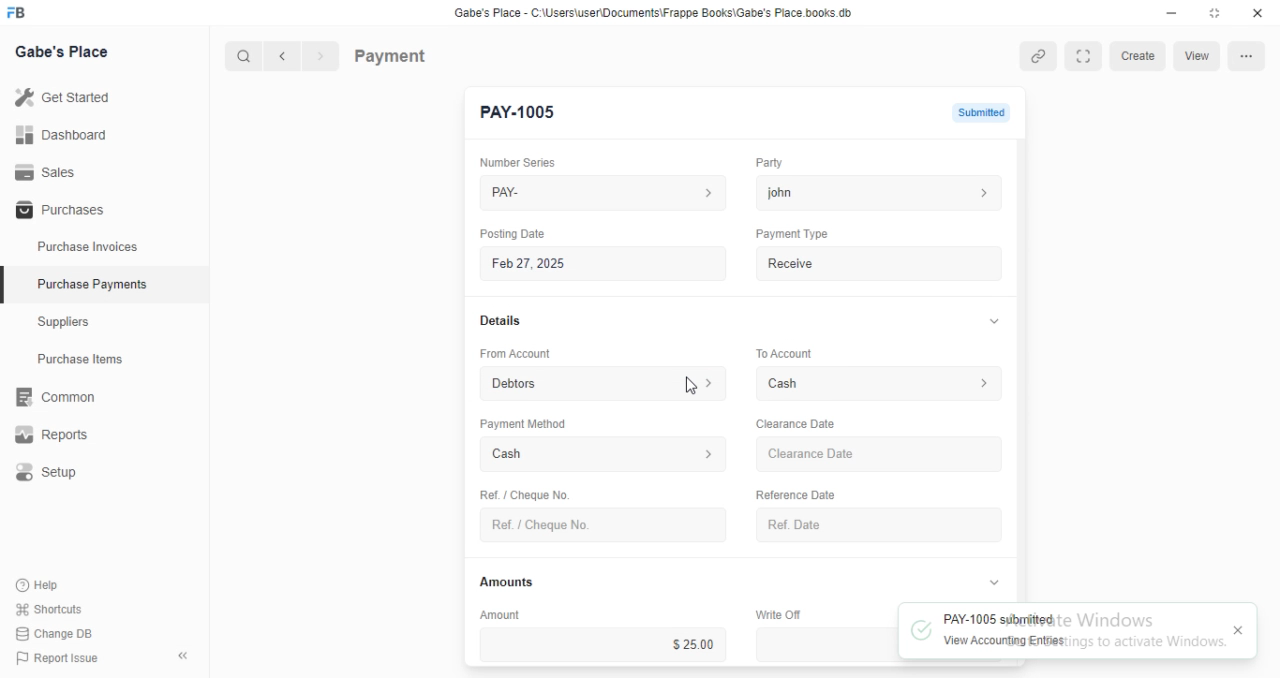 Image resolution: width=1280 pixels, height=678 pixels. Describe the element at coordinates (879, 525) in the screenshot. I see `Ref. Date` at that location.